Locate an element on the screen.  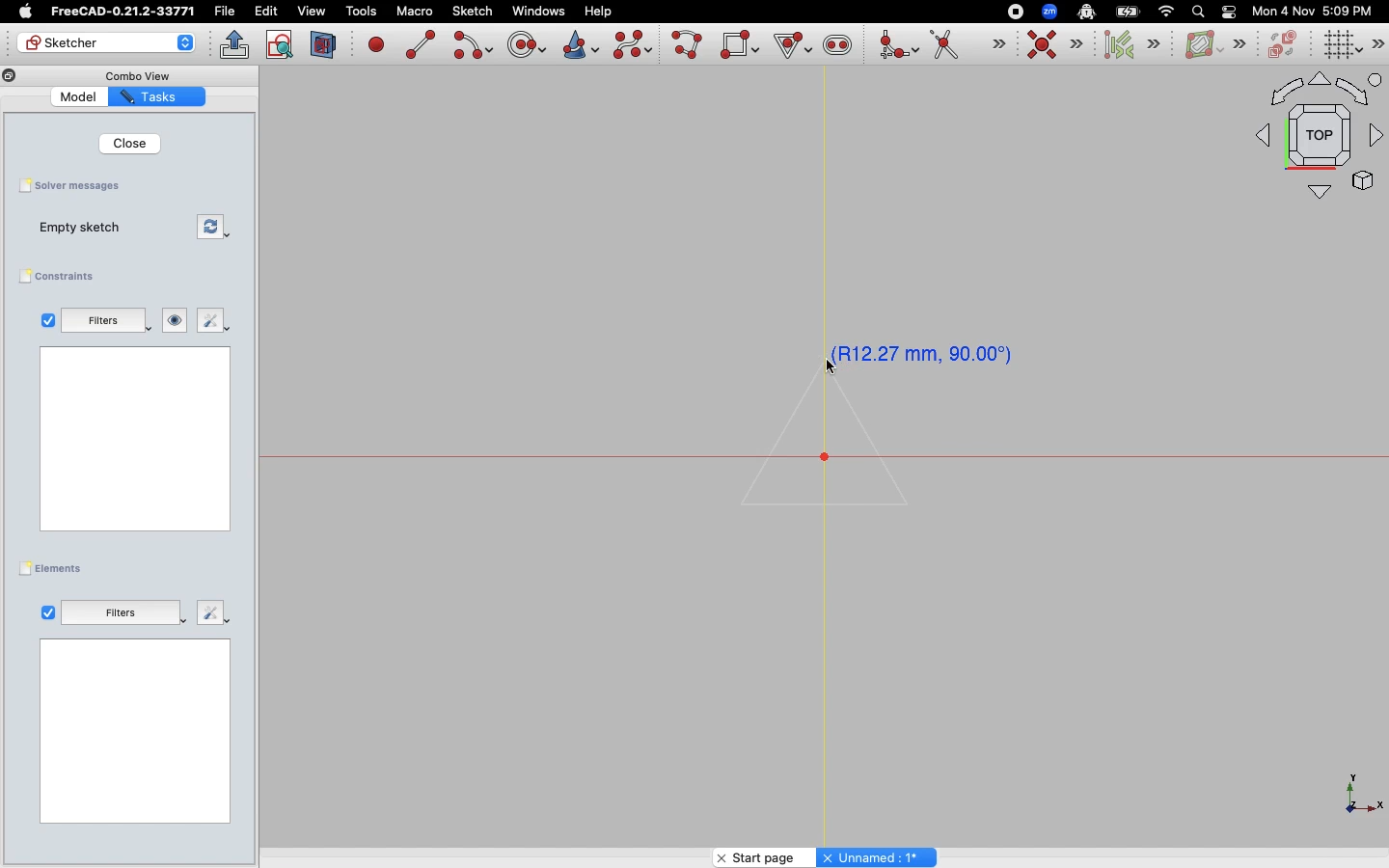
Mon 4 Nov 5:09 PM is located at coordinates (1315, 12).